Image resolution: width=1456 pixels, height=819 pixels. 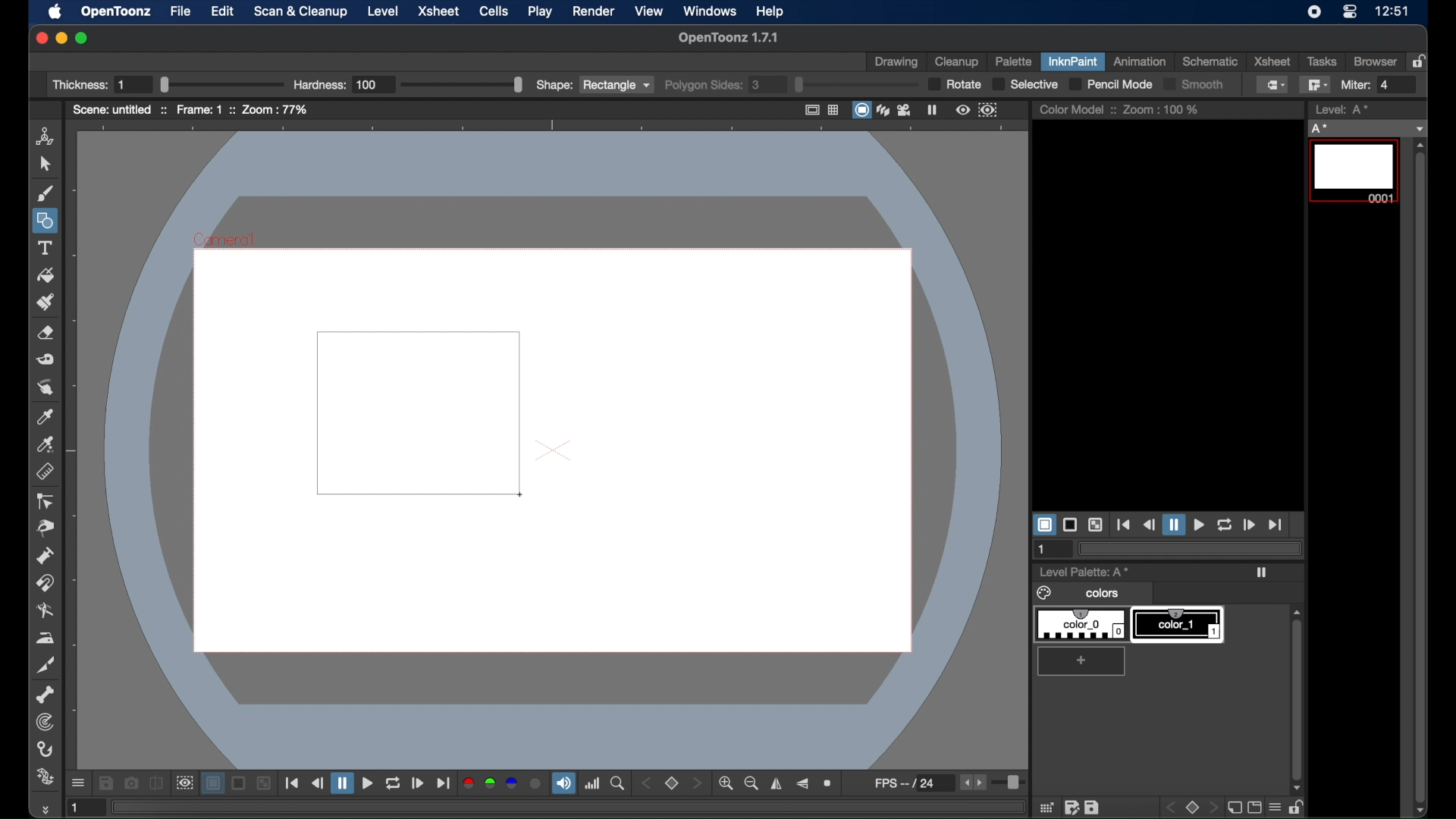 I want to click on pump tool, so click(x=45, y=556).